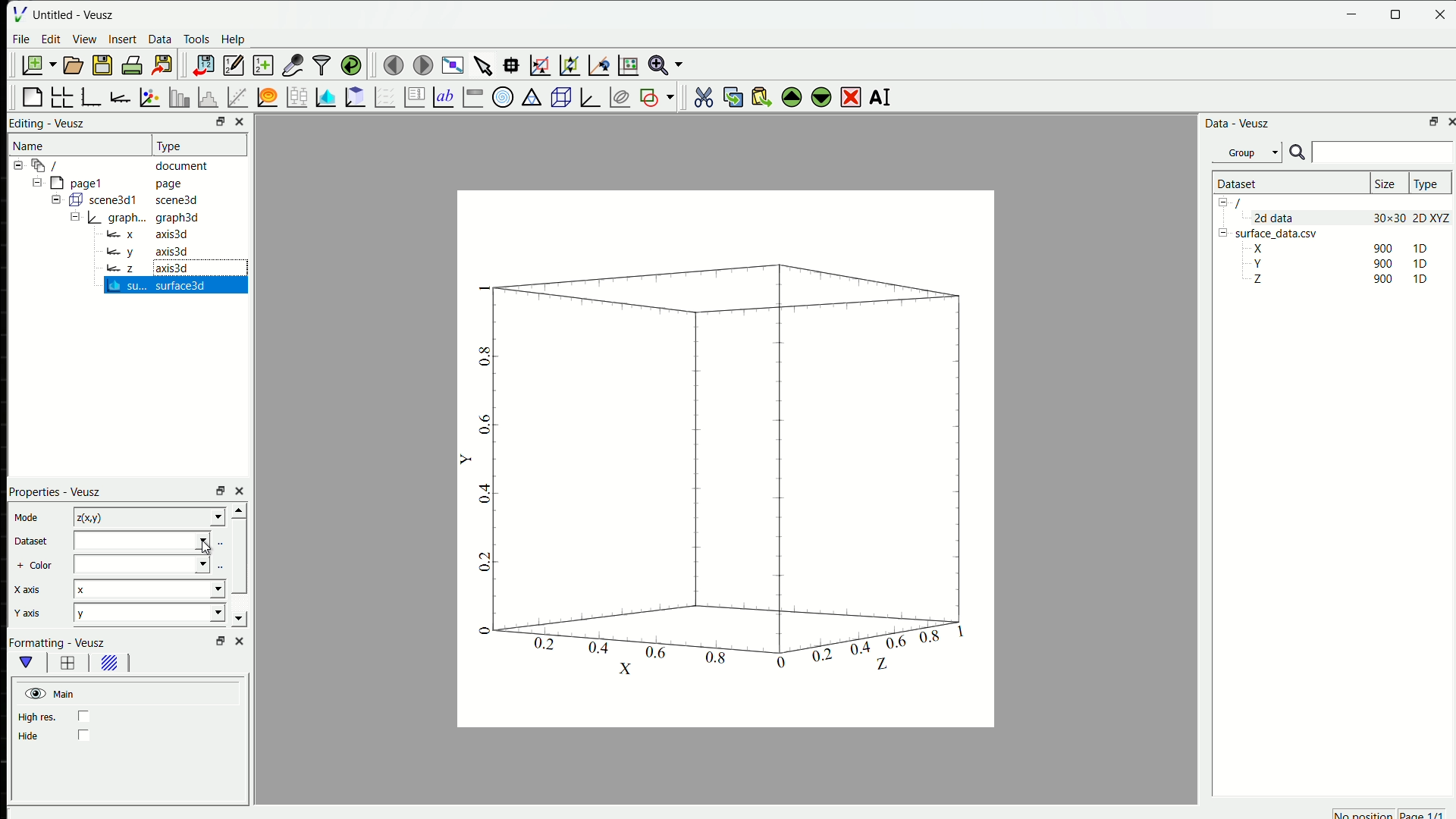 The height and width of the screenshot is (819, 1456). I want to click on y, so click(121, 252).